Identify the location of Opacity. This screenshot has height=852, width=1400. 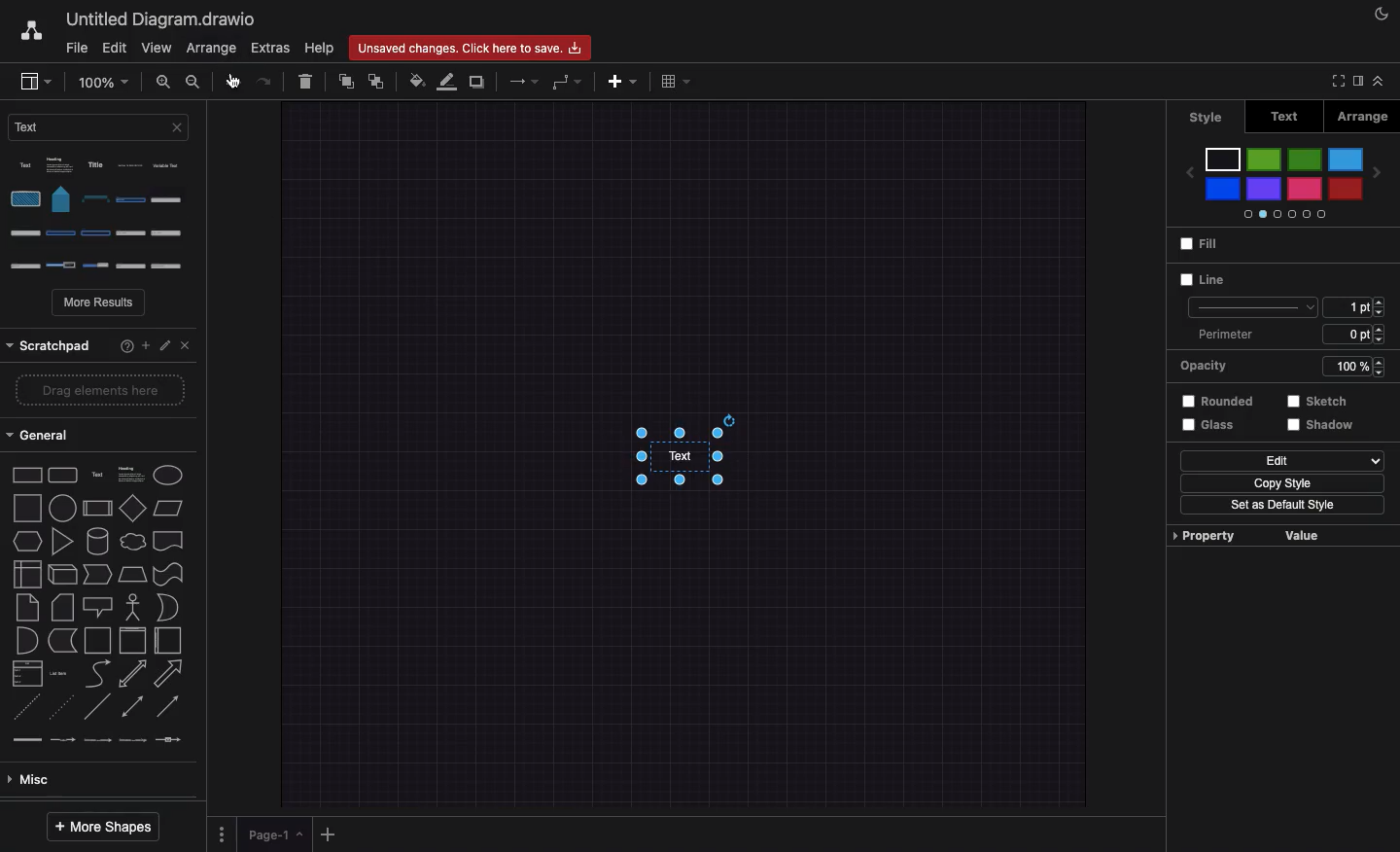
(1277, 367).